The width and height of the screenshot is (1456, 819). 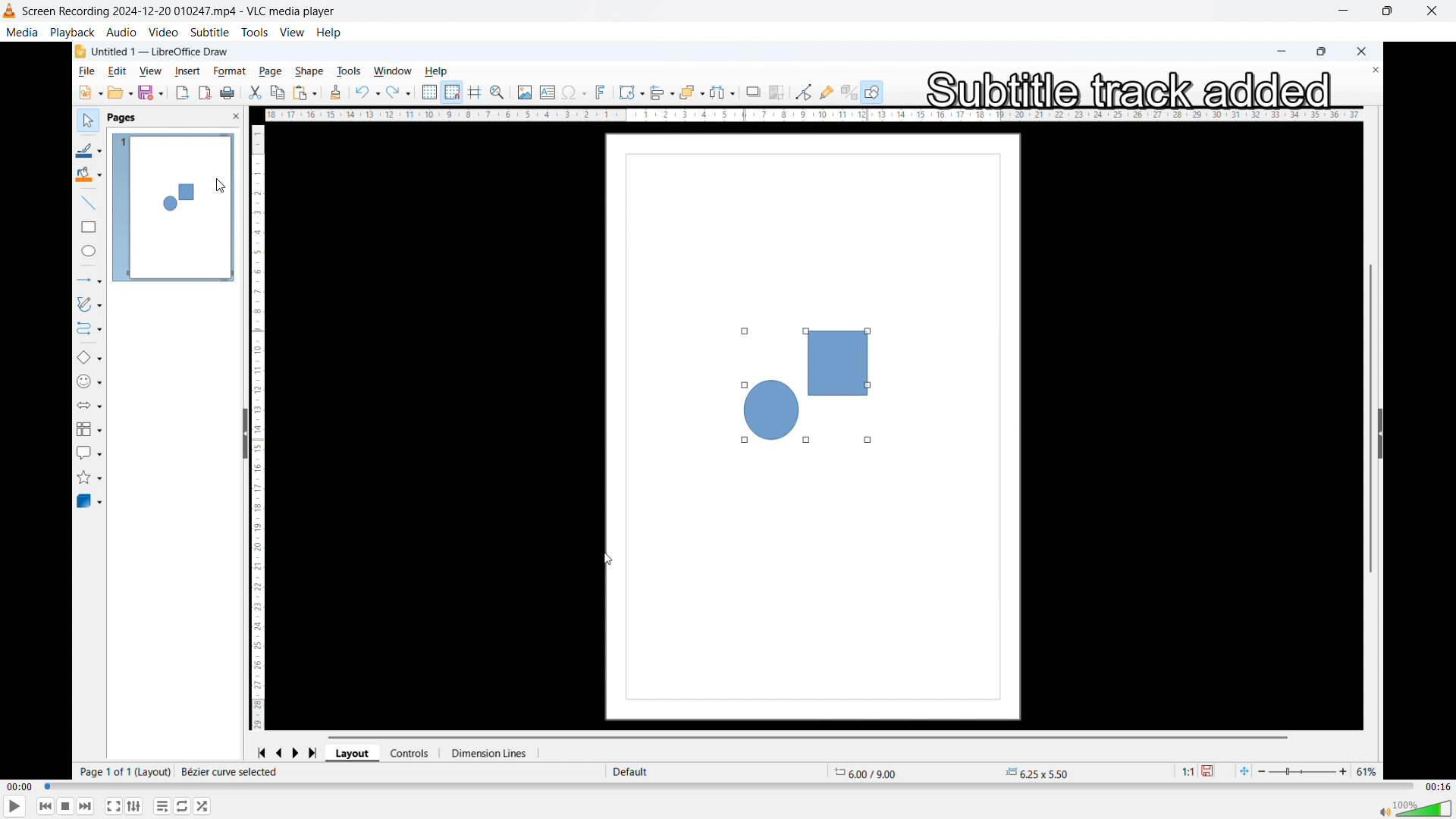 What do you see at coordinates (352, 70) in the screenshot?
I see `tools` at bounding box center [352, 70].